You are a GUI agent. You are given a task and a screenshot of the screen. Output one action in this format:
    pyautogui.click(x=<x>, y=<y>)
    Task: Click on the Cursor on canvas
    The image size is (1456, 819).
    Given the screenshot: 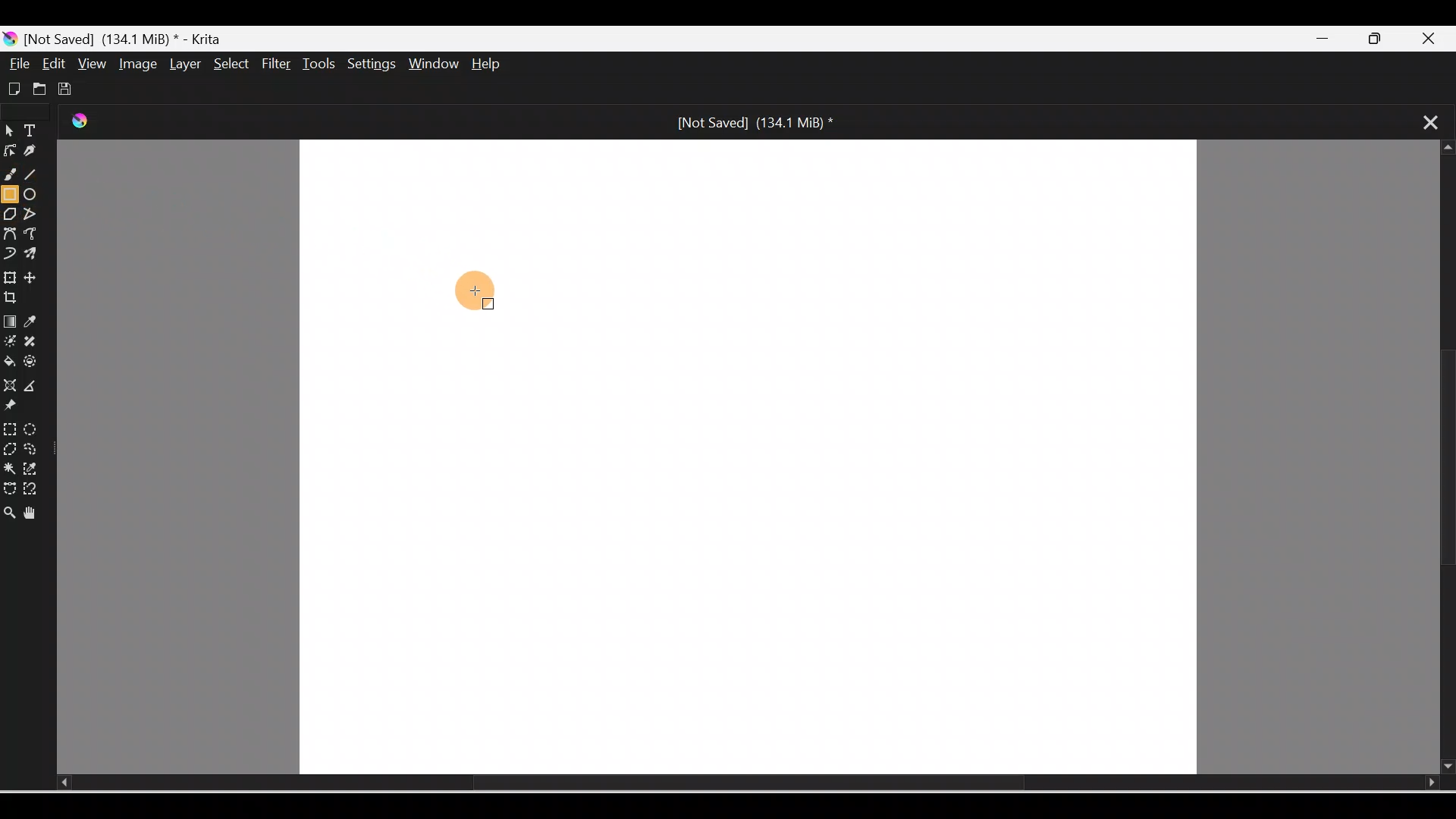 What is the action you would take?
    pyautogui.click(x=479, y=295)
    